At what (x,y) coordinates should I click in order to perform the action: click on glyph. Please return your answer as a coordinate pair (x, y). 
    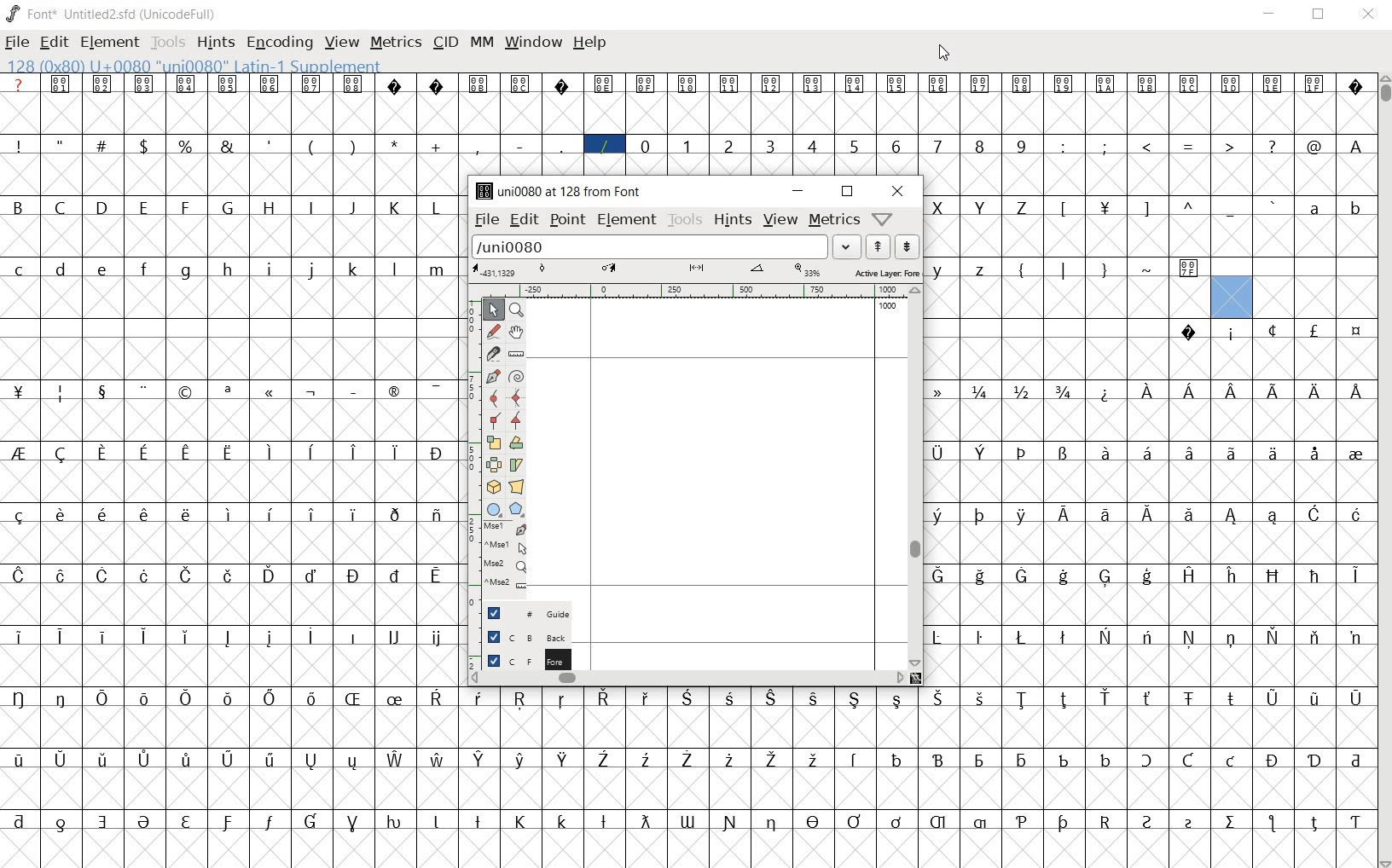
    Looking at the image, I should click on (1064, 454).